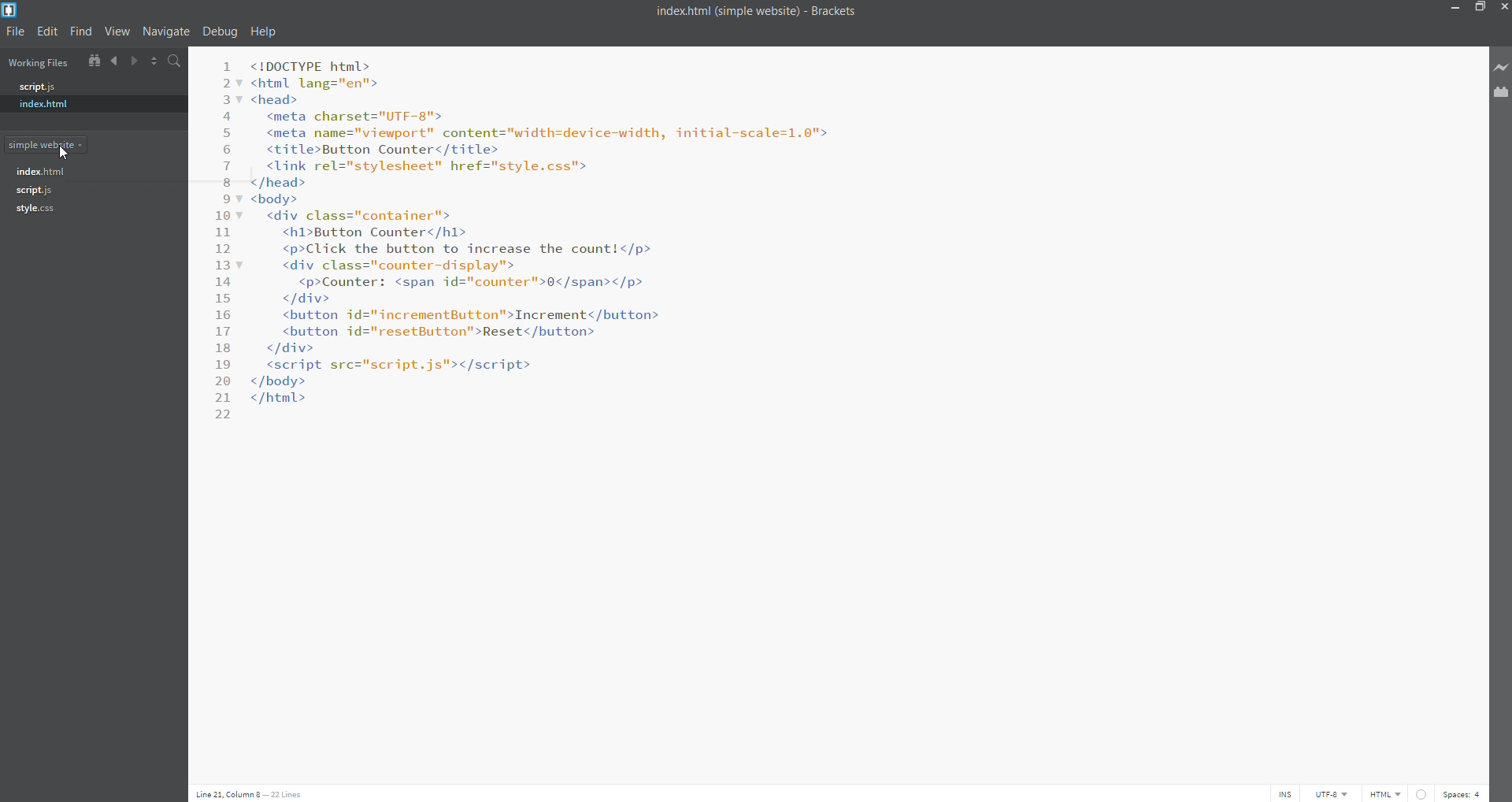  I want to click on show in file tree, so click(92, 61).